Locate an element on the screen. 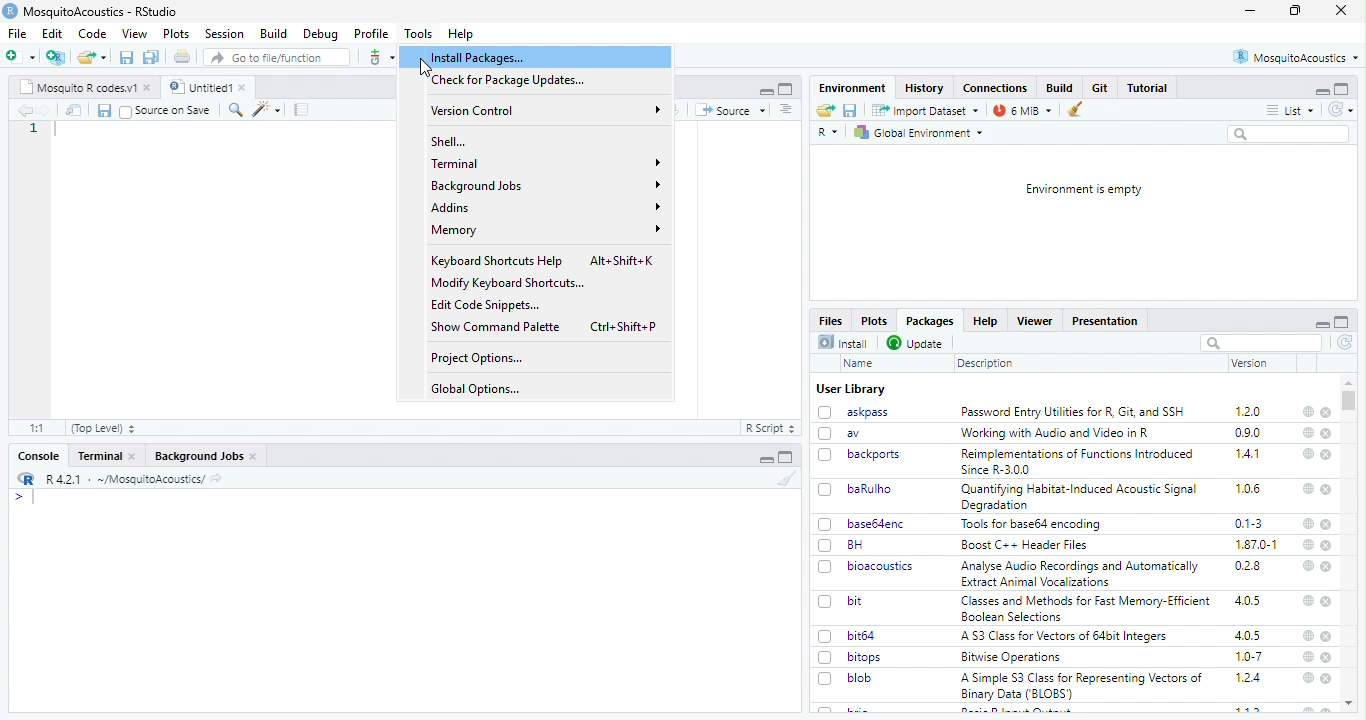 This screenshot has width=1366, height=720. close is located at coordinates (1327, 491).